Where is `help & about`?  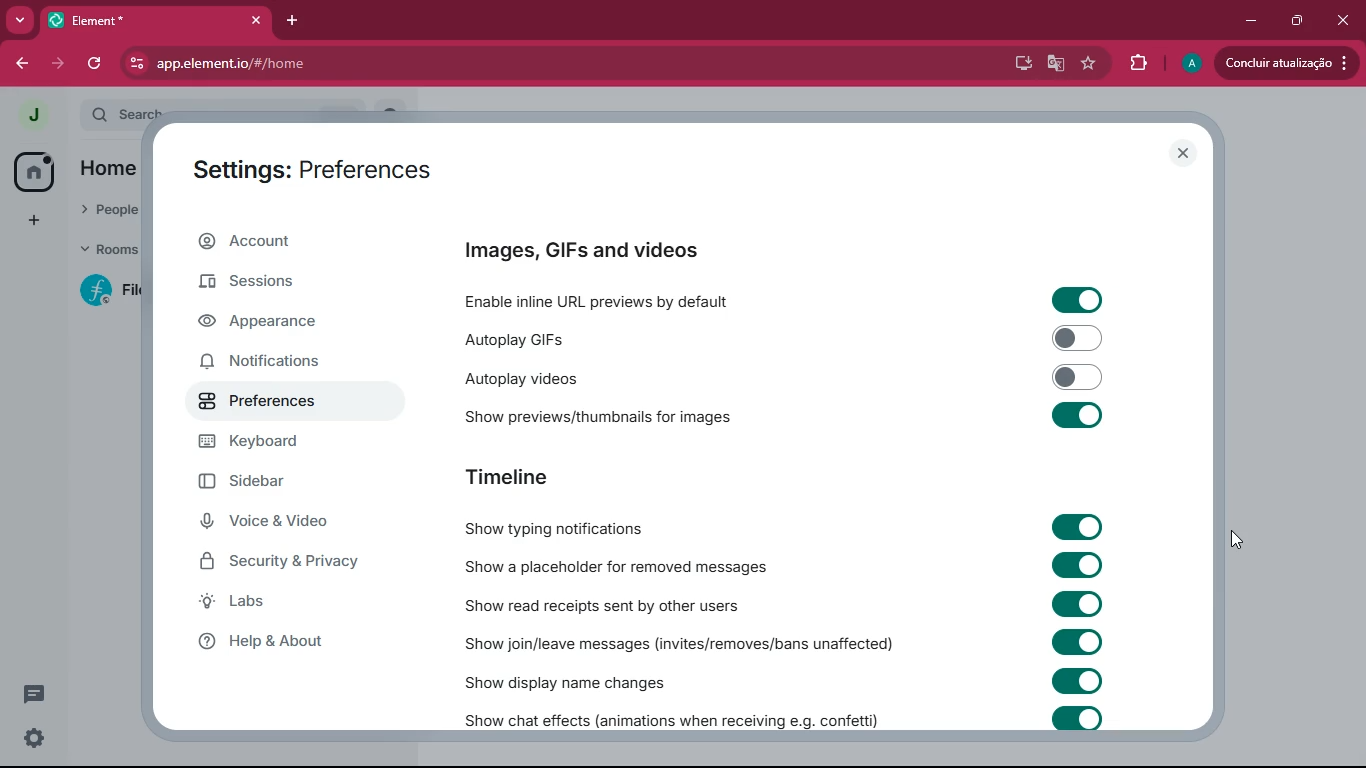 help & about is located at coordinates (273, 643).